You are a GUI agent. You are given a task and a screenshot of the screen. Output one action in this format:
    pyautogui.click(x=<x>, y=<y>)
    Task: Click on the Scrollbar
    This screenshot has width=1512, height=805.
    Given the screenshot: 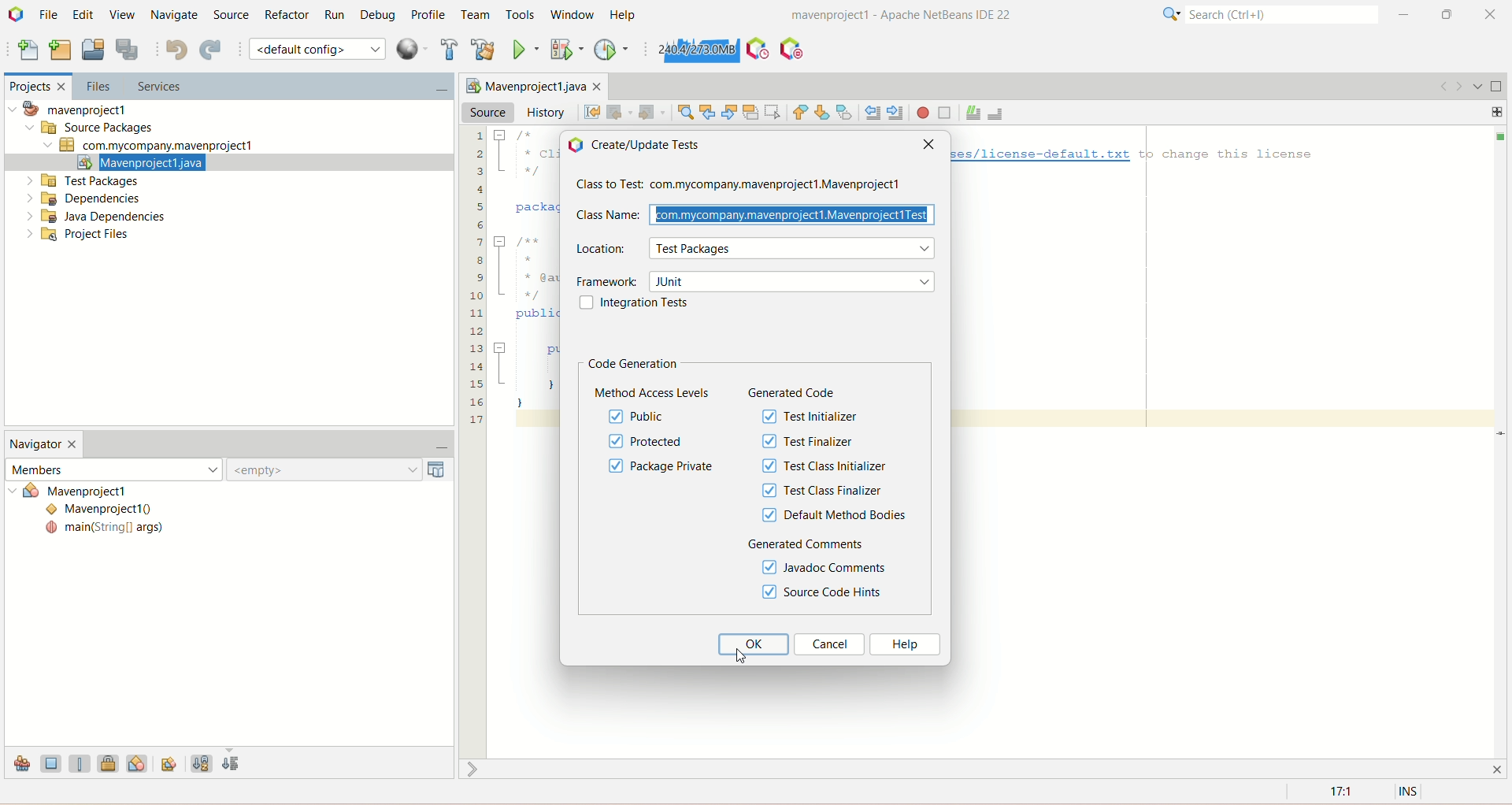 What is the action you would take?
    pyautogui.click(x=1503, y=441)
    